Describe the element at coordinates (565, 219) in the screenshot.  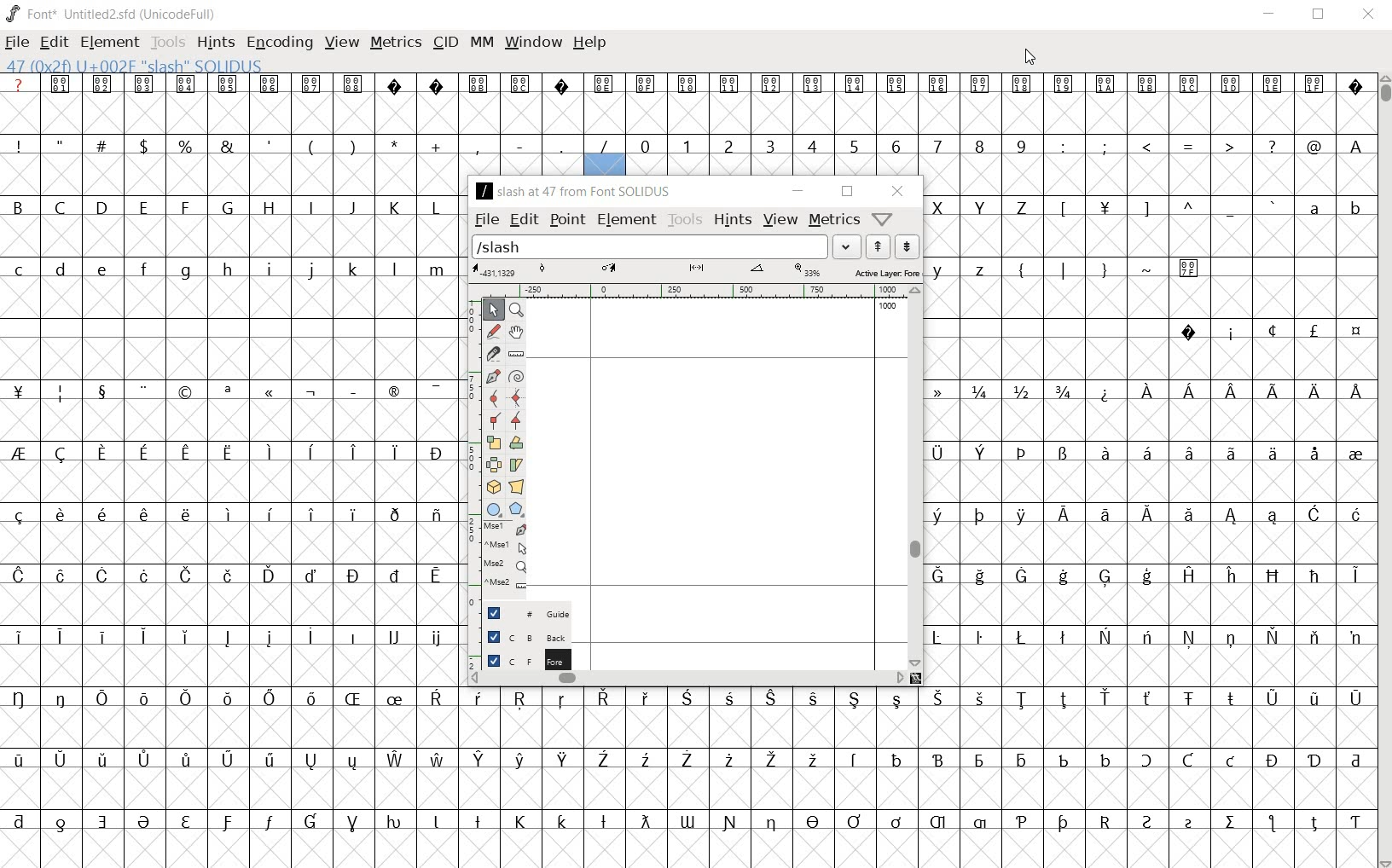
I see `point` at that location.